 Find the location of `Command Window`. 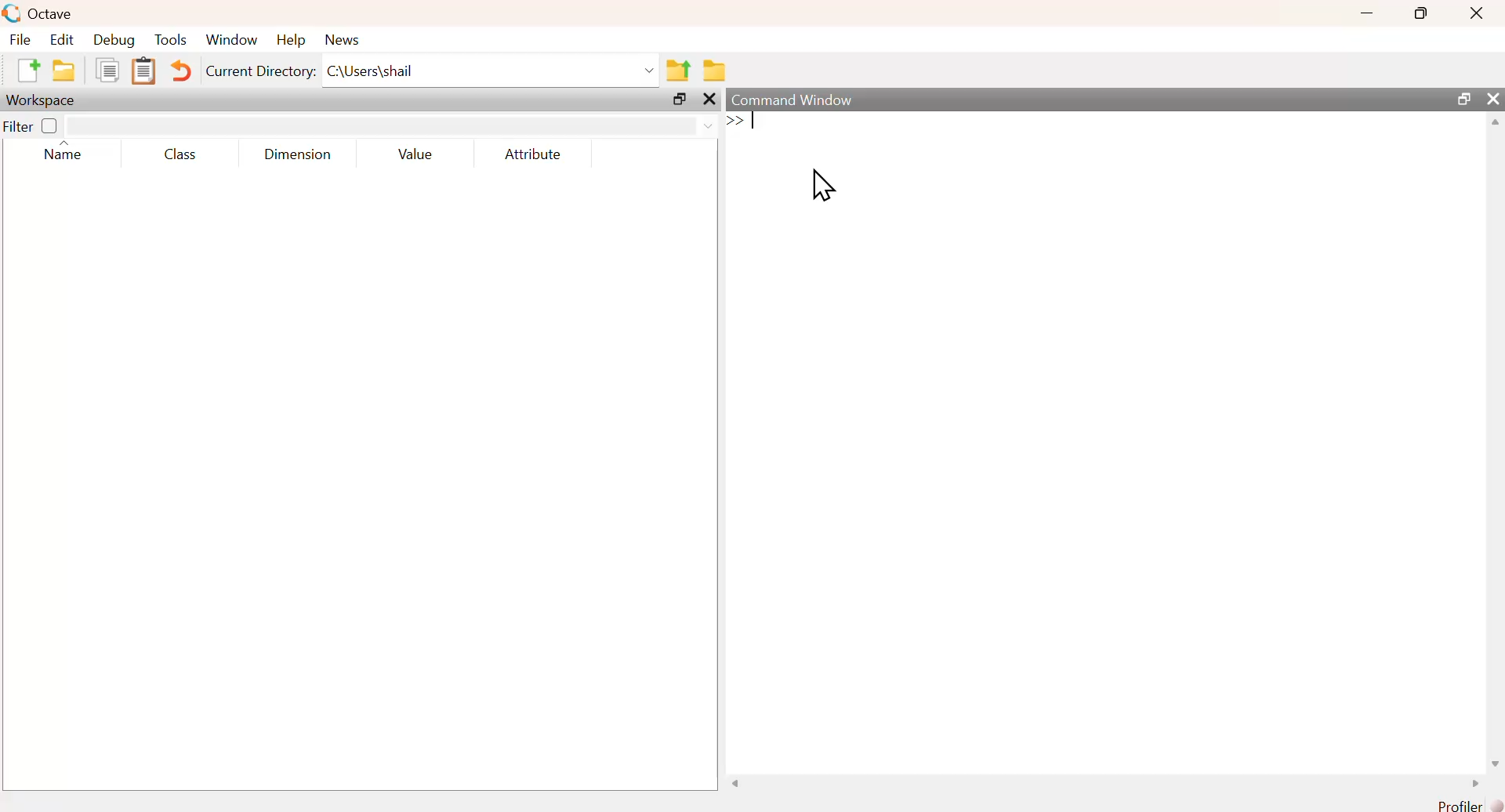

Command Window is located at coordinates (792, 100).